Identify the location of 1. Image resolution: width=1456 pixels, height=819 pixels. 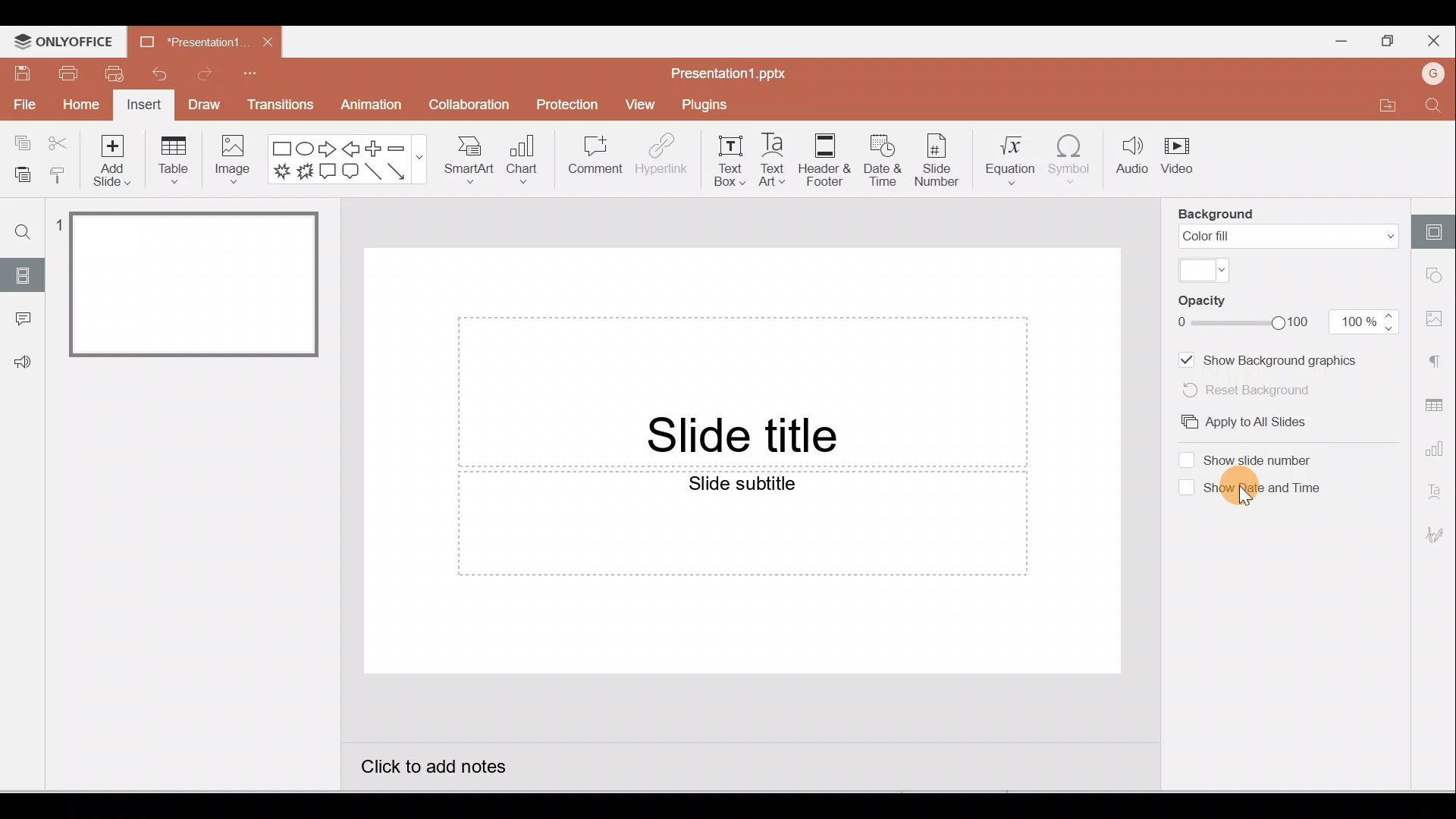
(62, 229).